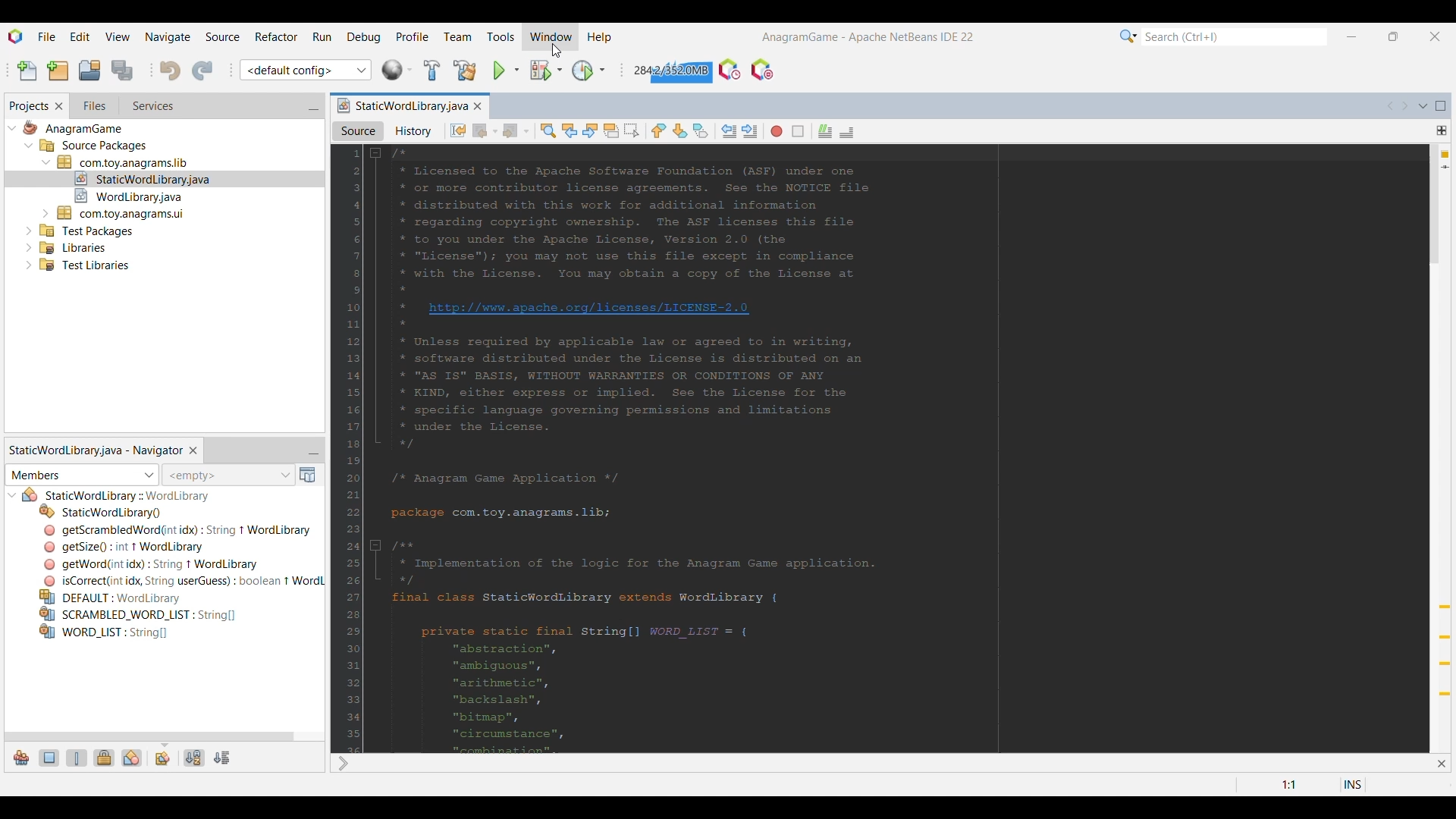 Image resolution: width=1456 pixels, height=819 pixels. Describe the element at coordinates (477, 106) in the screenshot. I see `Close current tab` at that location.